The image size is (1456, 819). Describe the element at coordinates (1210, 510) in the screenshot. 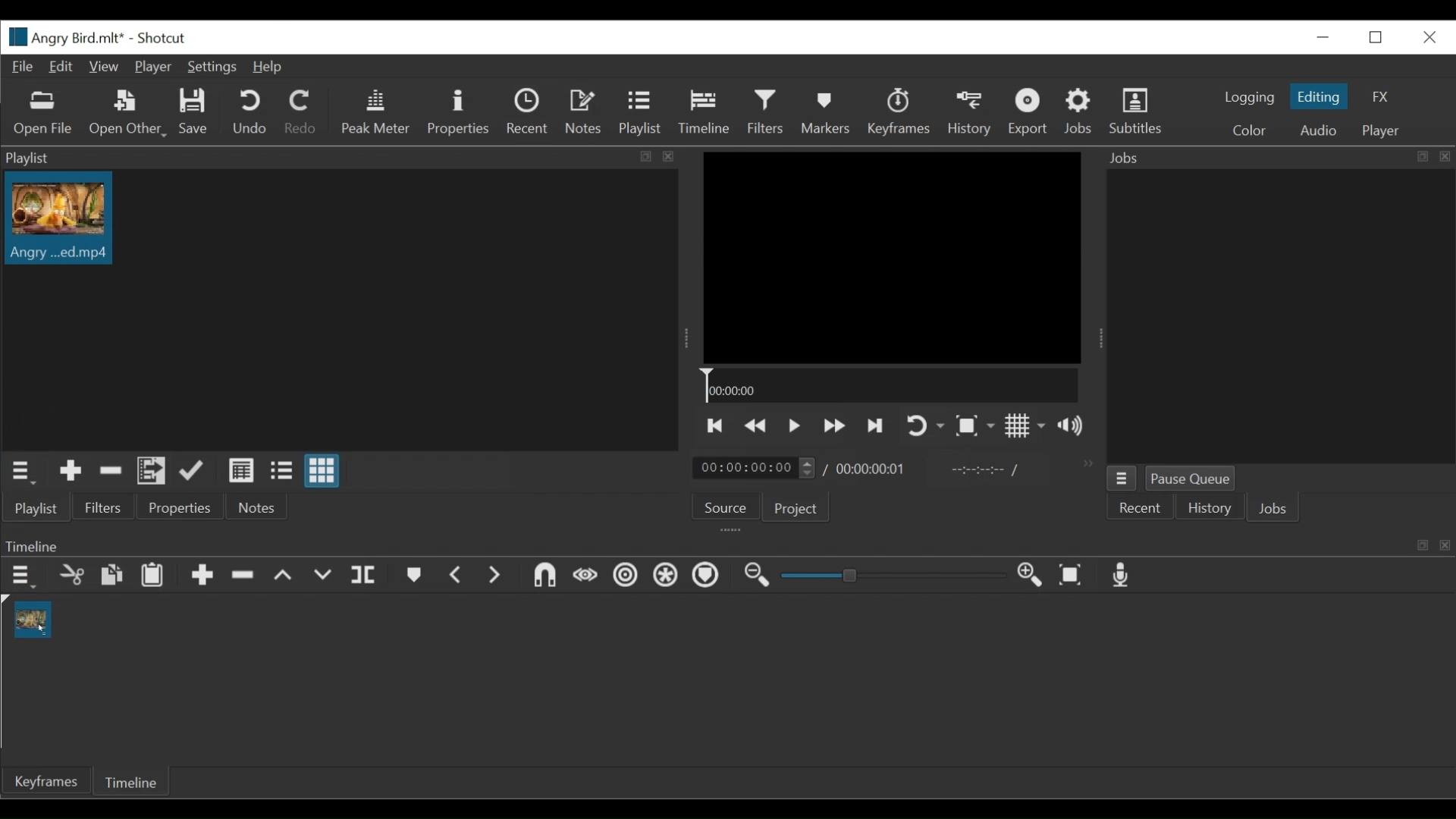

I see `History` at that location.